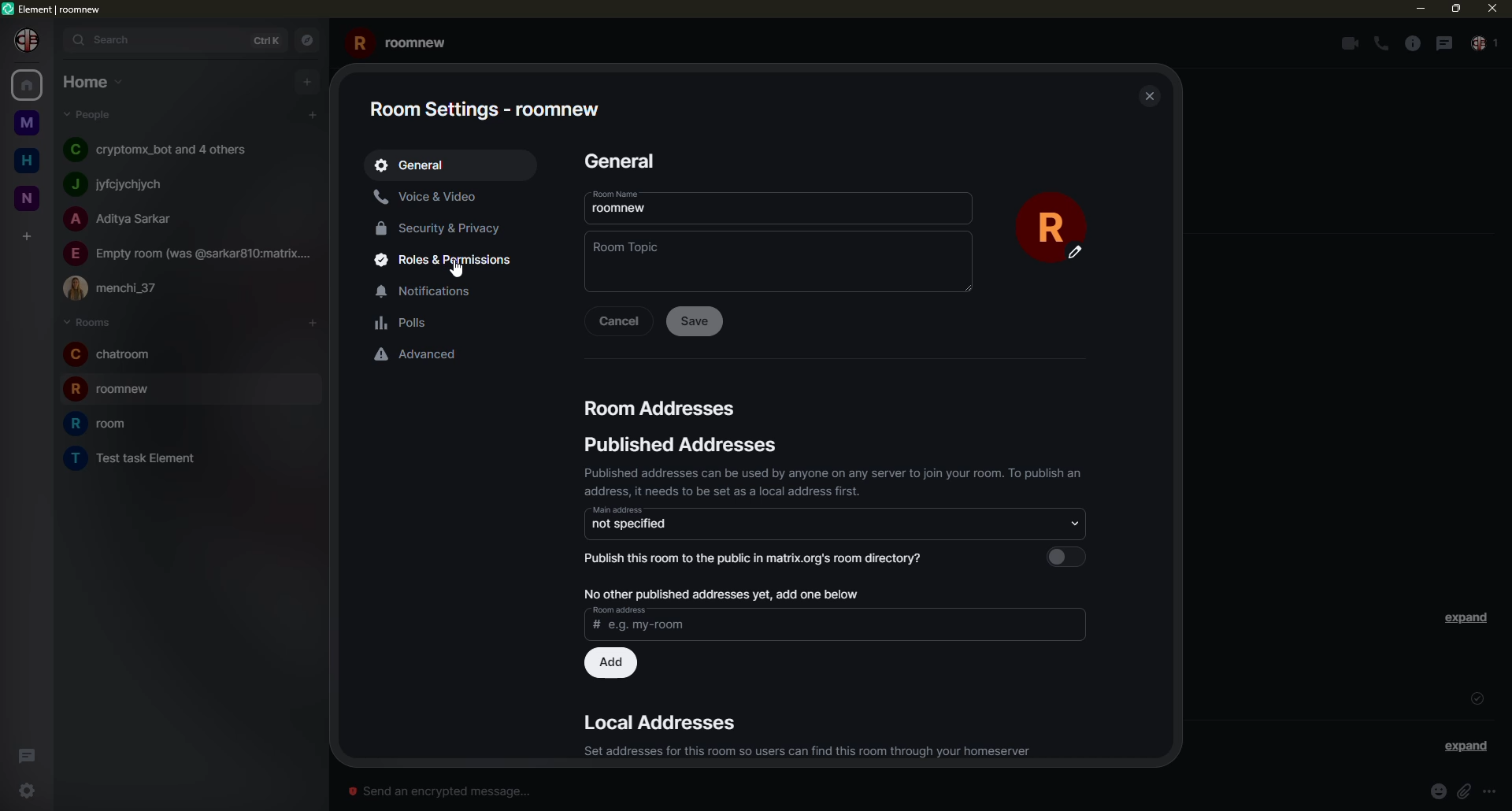  What do you see at coordinates (163, 150) in the screenshot?
I see `people` at bounding box center [163, 150].